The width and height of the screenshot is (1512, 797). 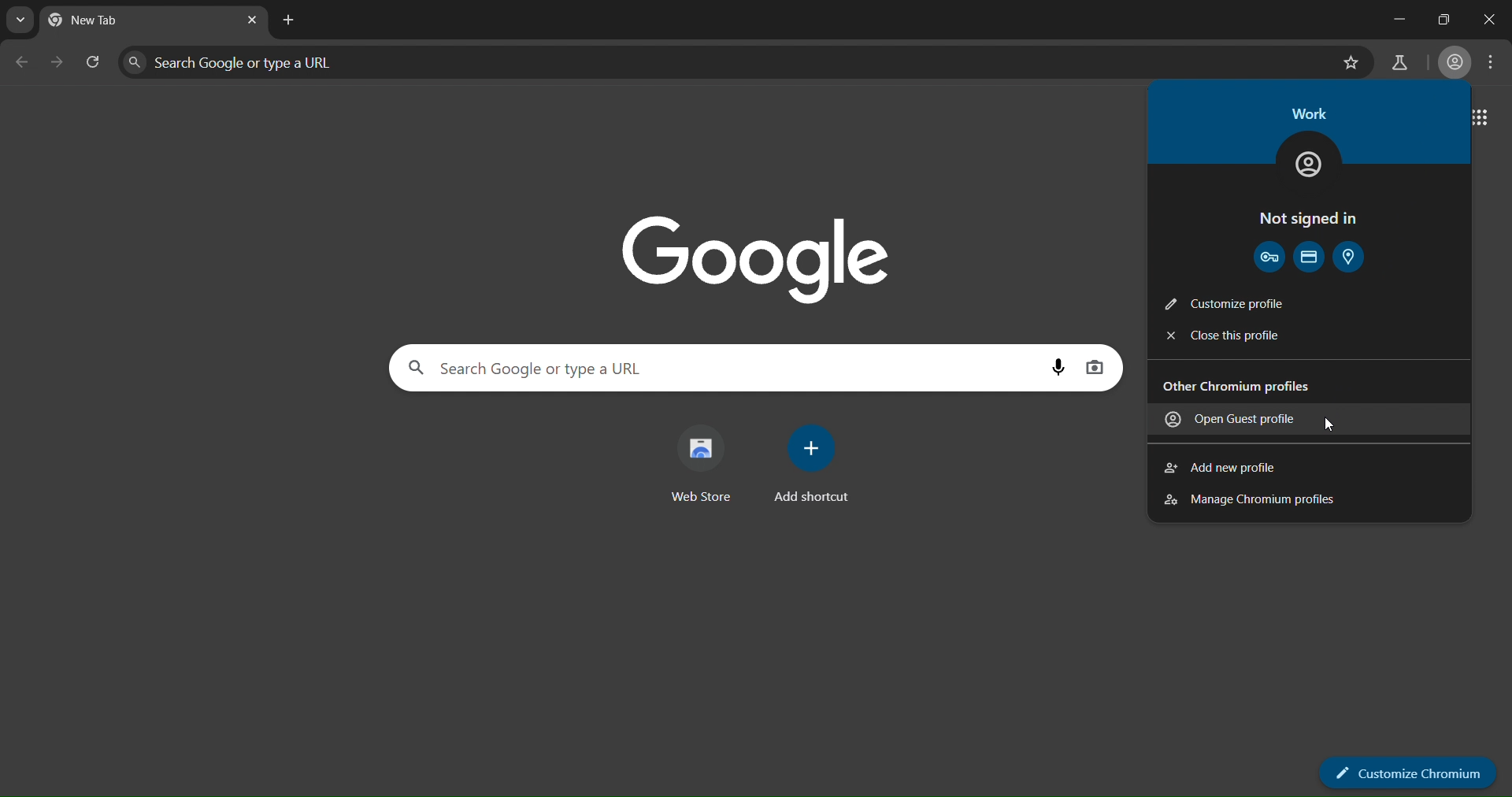 What do you see at coordinates (287, 18) in the screenshot?
I see `new tab` at bounding box center [287, 18].